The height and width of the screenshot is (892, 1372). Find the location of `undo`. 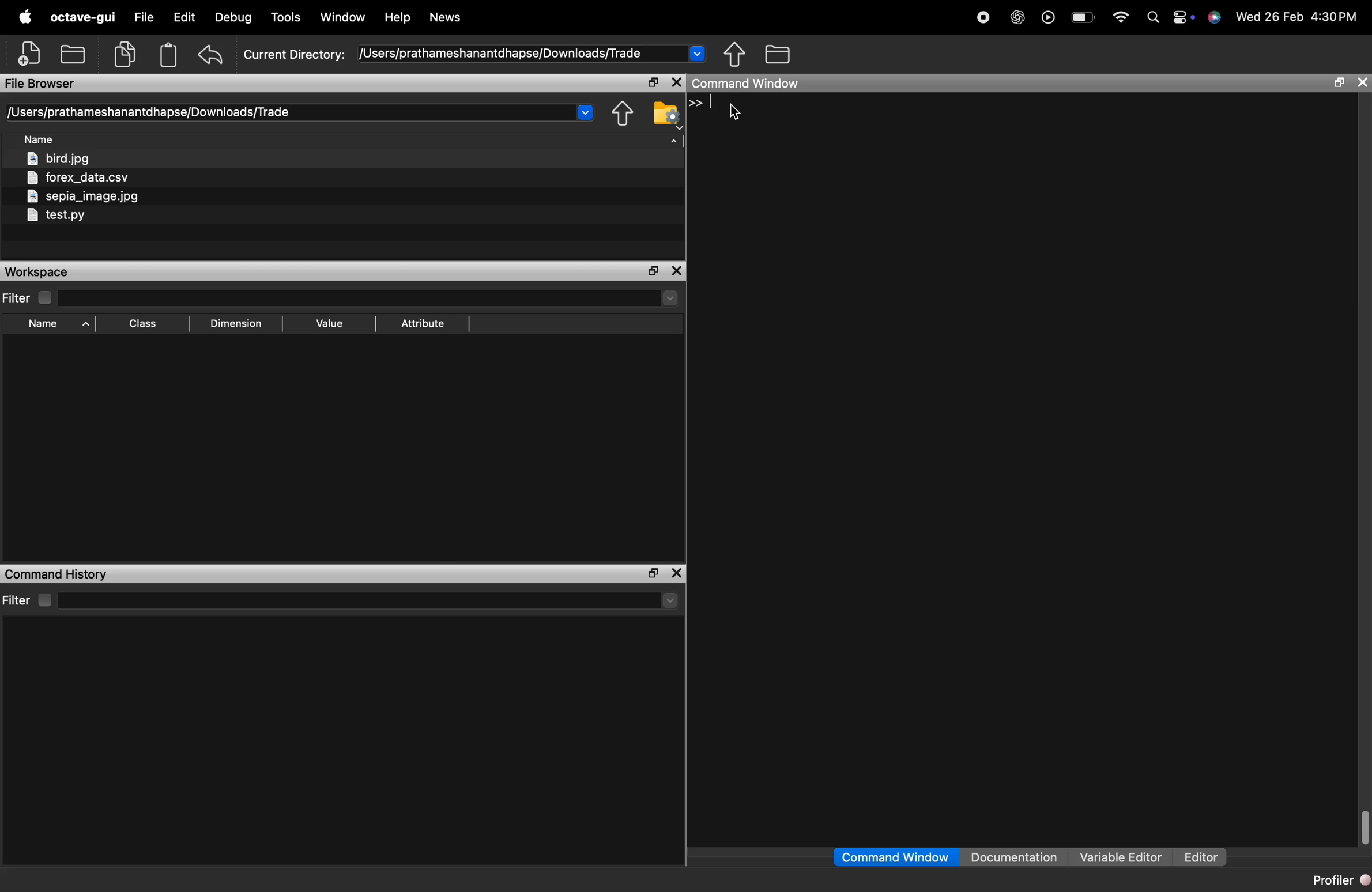

undo is located at coordinates (210, 54).